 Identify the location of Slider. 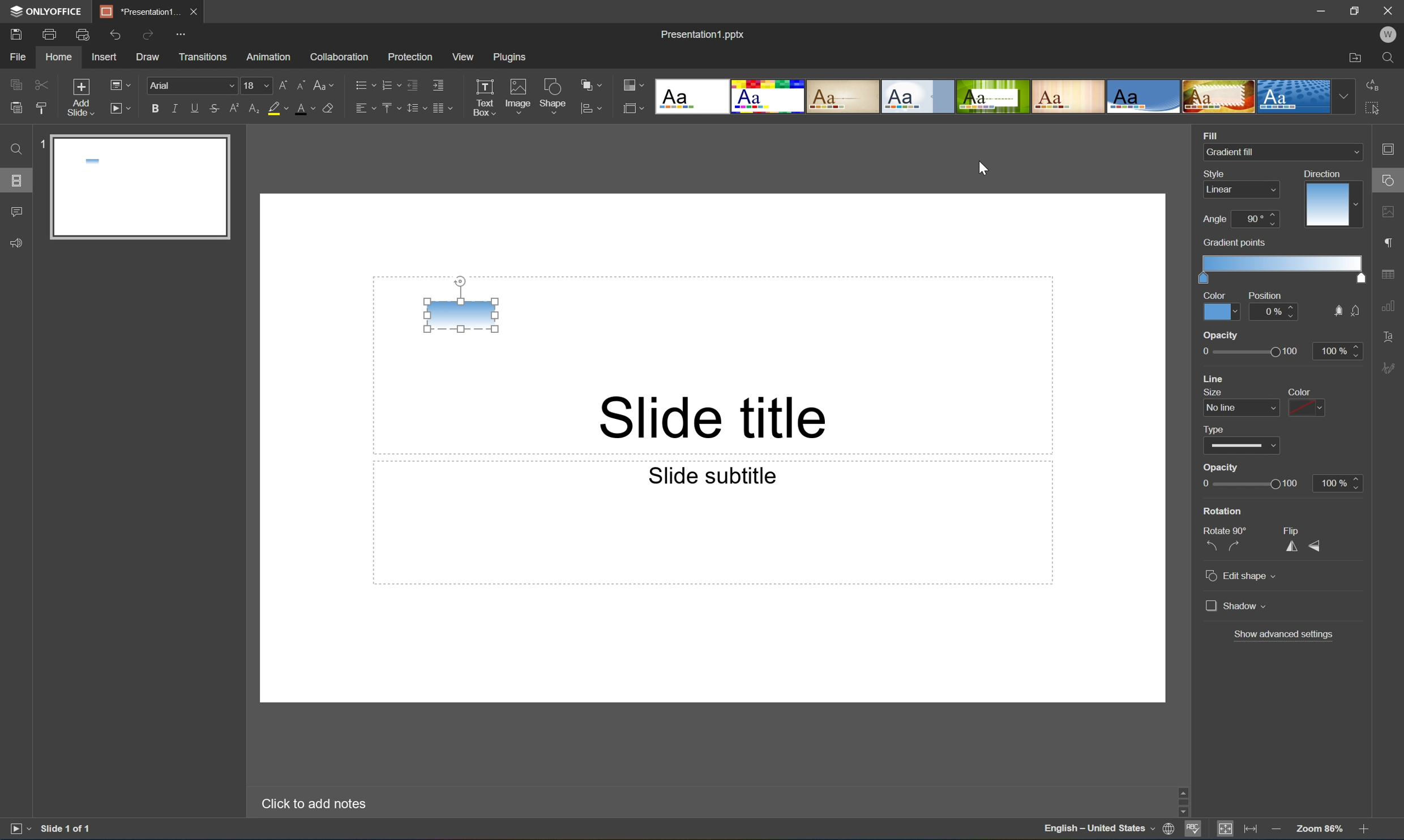
(1248, 485).